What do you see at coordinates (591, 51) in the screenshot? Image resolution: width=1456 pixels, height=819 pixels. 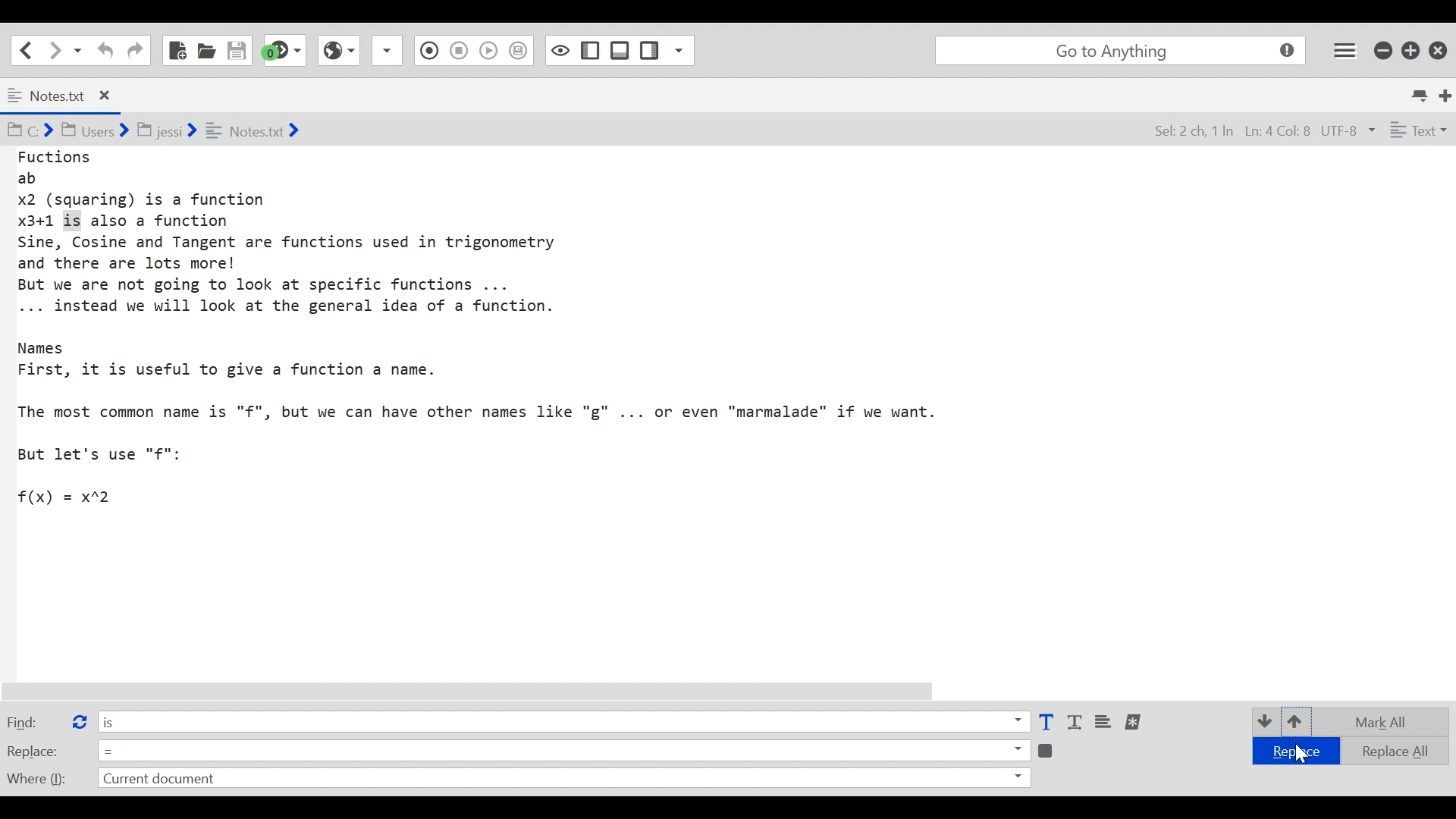 I see `Show/Hide Bottom Pane` at bounding box center [591, 51].